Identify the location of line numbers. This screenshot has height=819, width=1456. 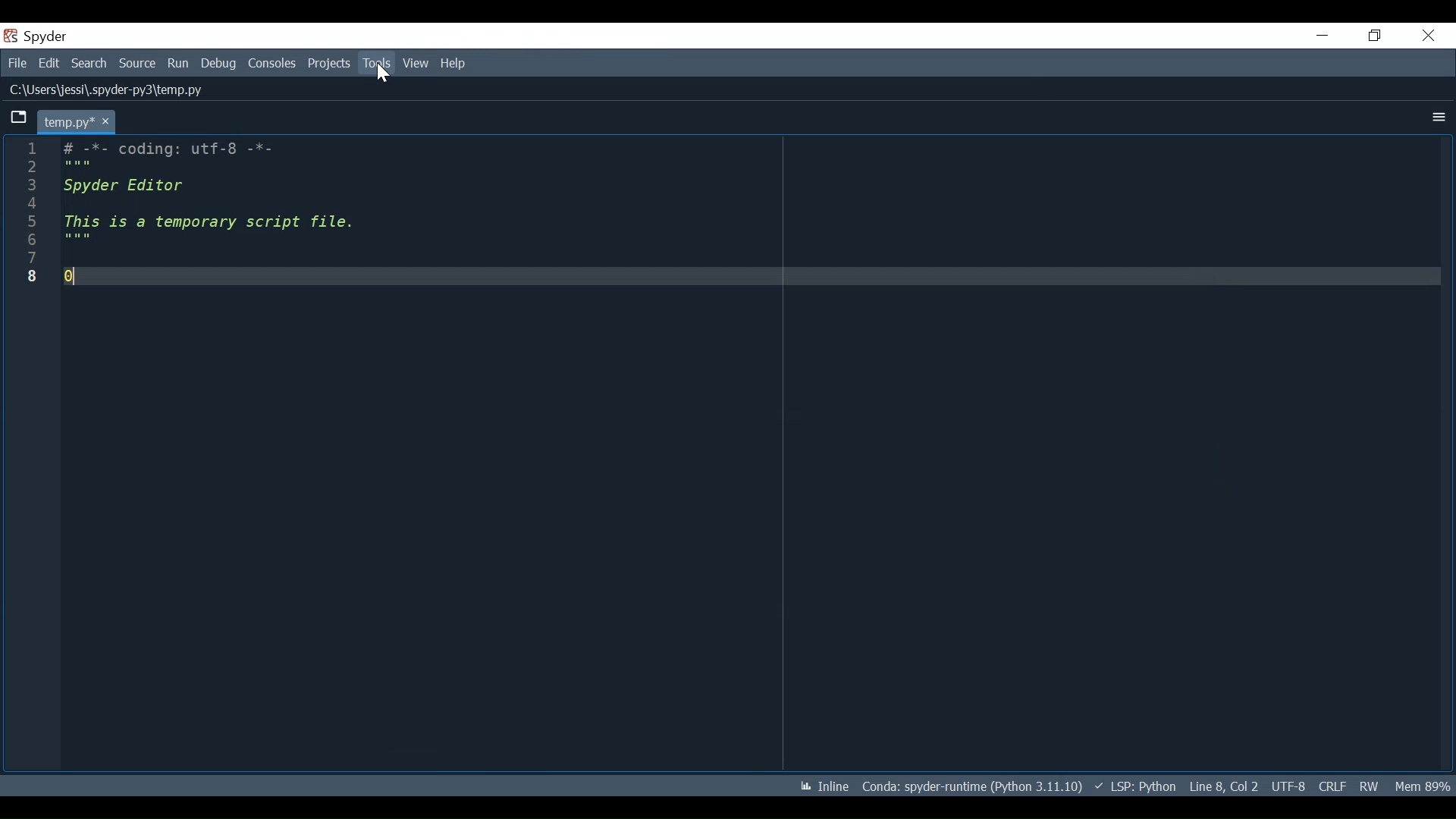
(30, 214).